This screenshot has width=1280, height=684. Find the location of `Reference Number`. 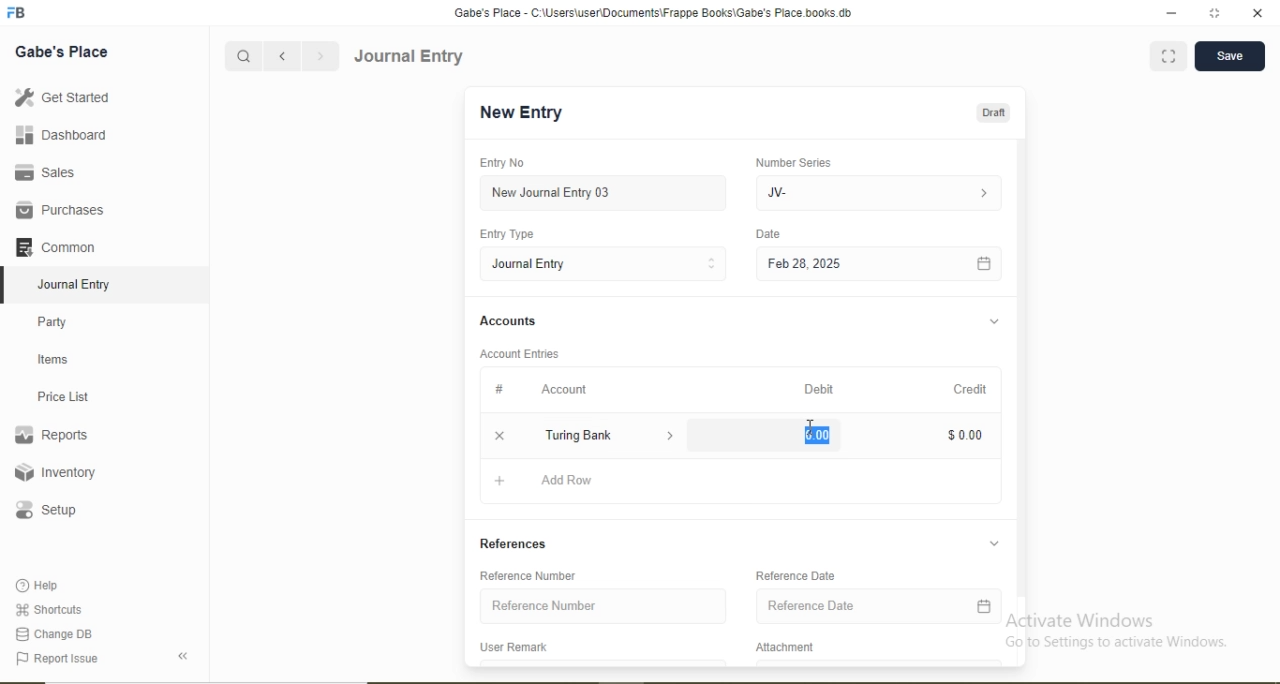

Reference Number is located at coordinates (544, 604).